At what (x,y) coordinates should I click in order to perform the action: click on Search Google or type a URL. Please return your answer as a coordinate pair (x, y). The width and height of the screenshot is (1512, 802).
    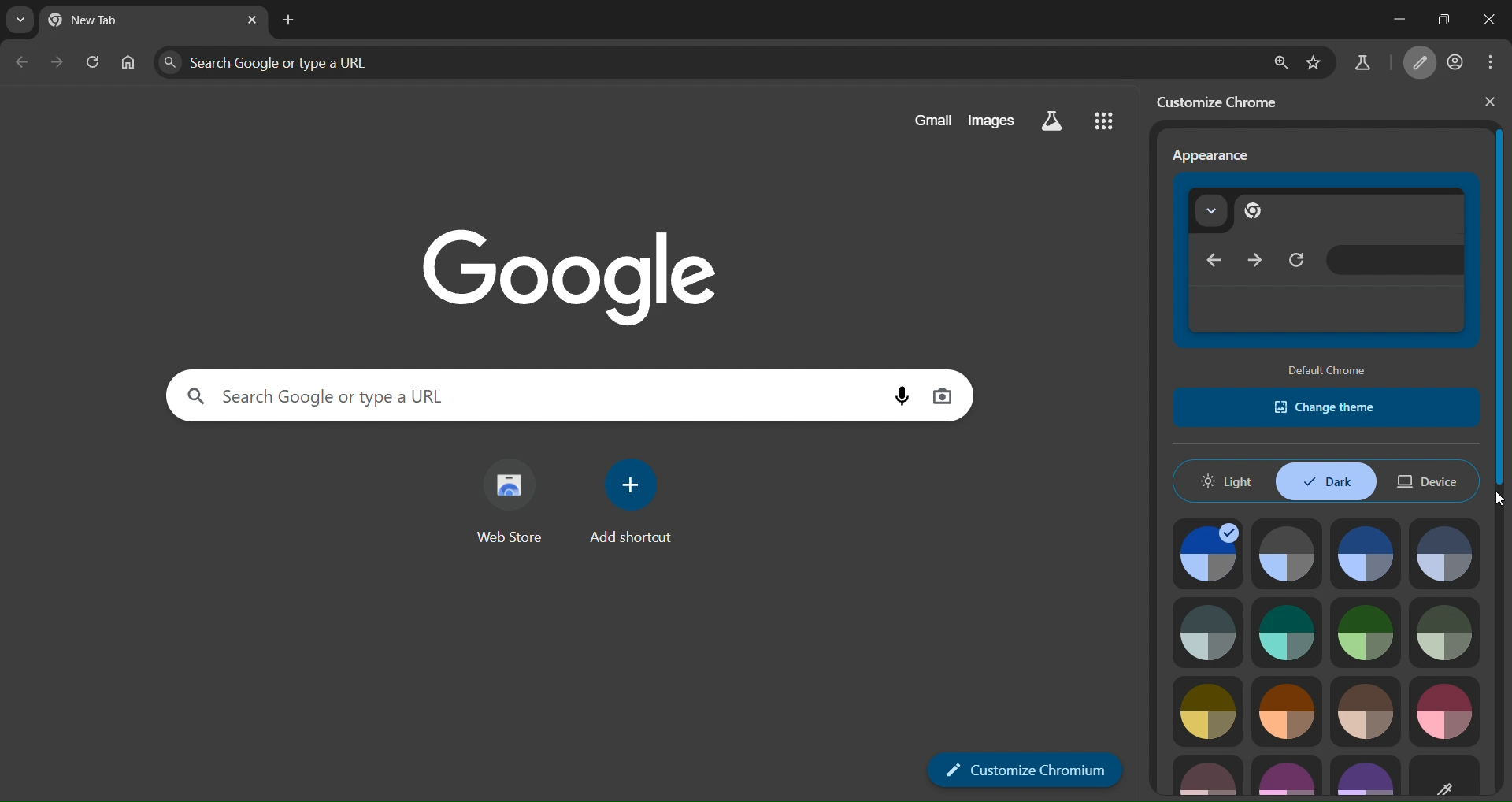
    Looking at the image, I should click on (531, 395).